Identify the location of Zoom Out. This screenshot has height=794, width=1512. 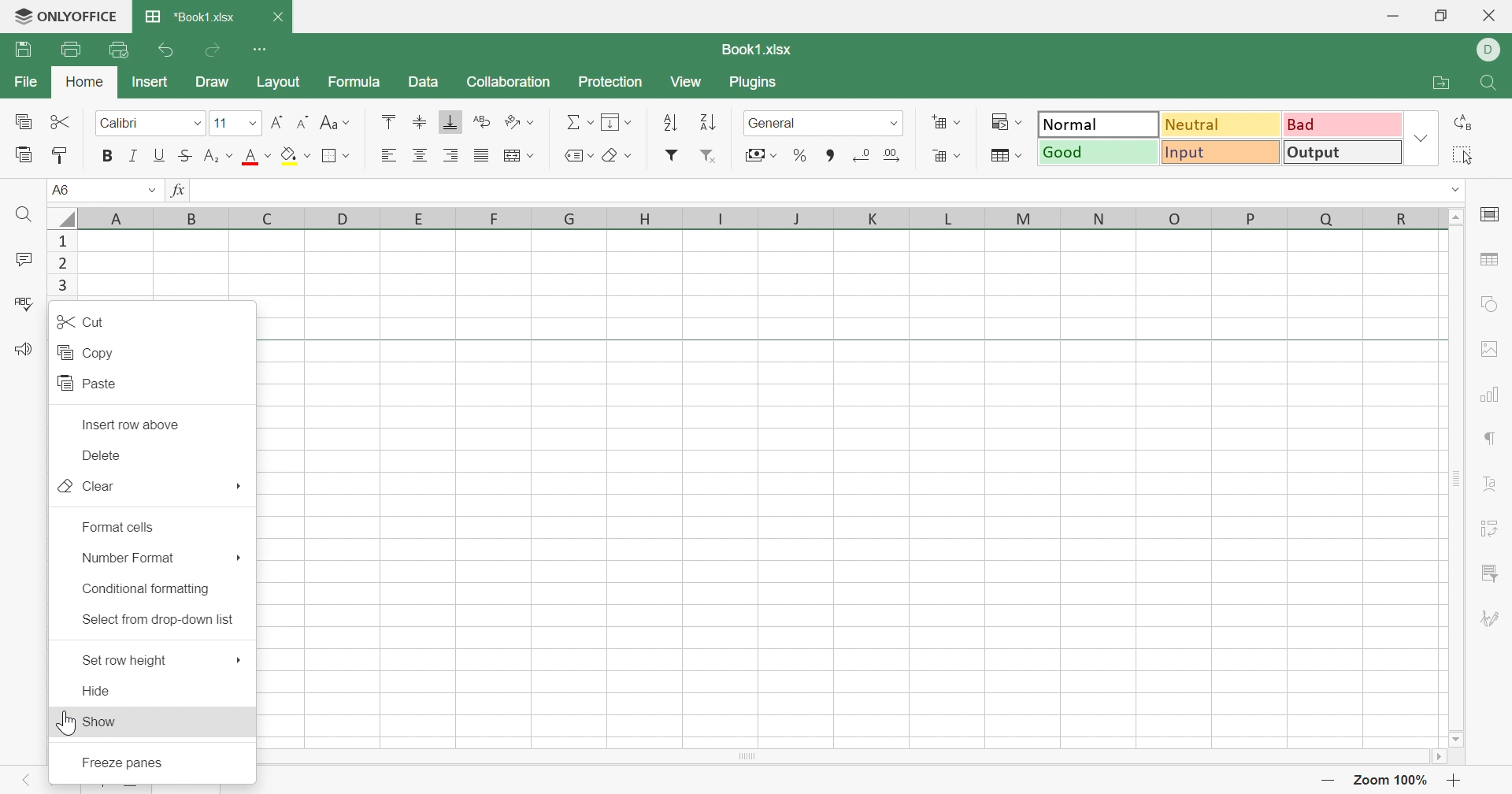
(1326, 782).